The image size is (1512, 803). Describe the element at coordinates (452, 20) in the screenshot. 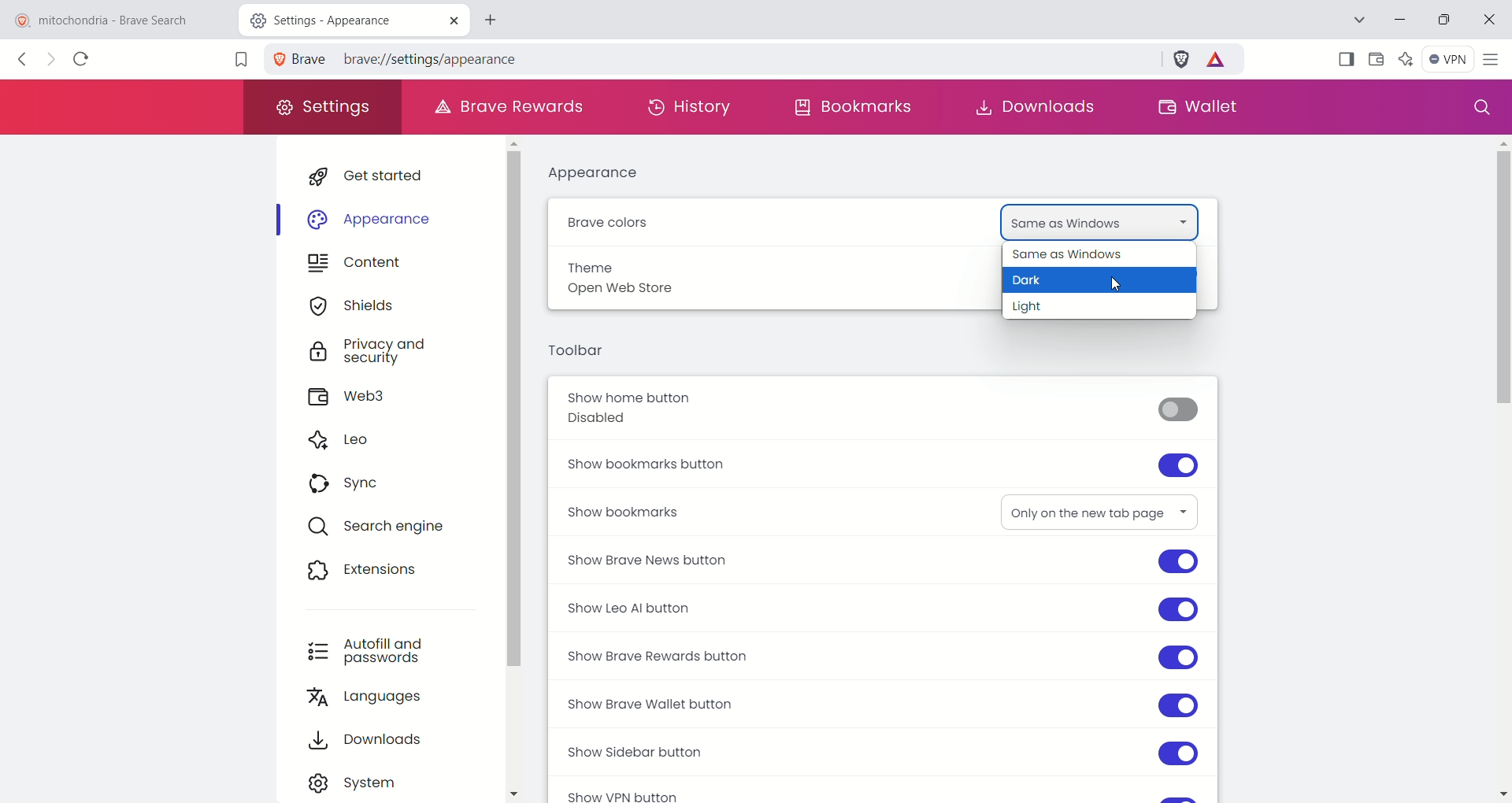

I see `close` at that location.